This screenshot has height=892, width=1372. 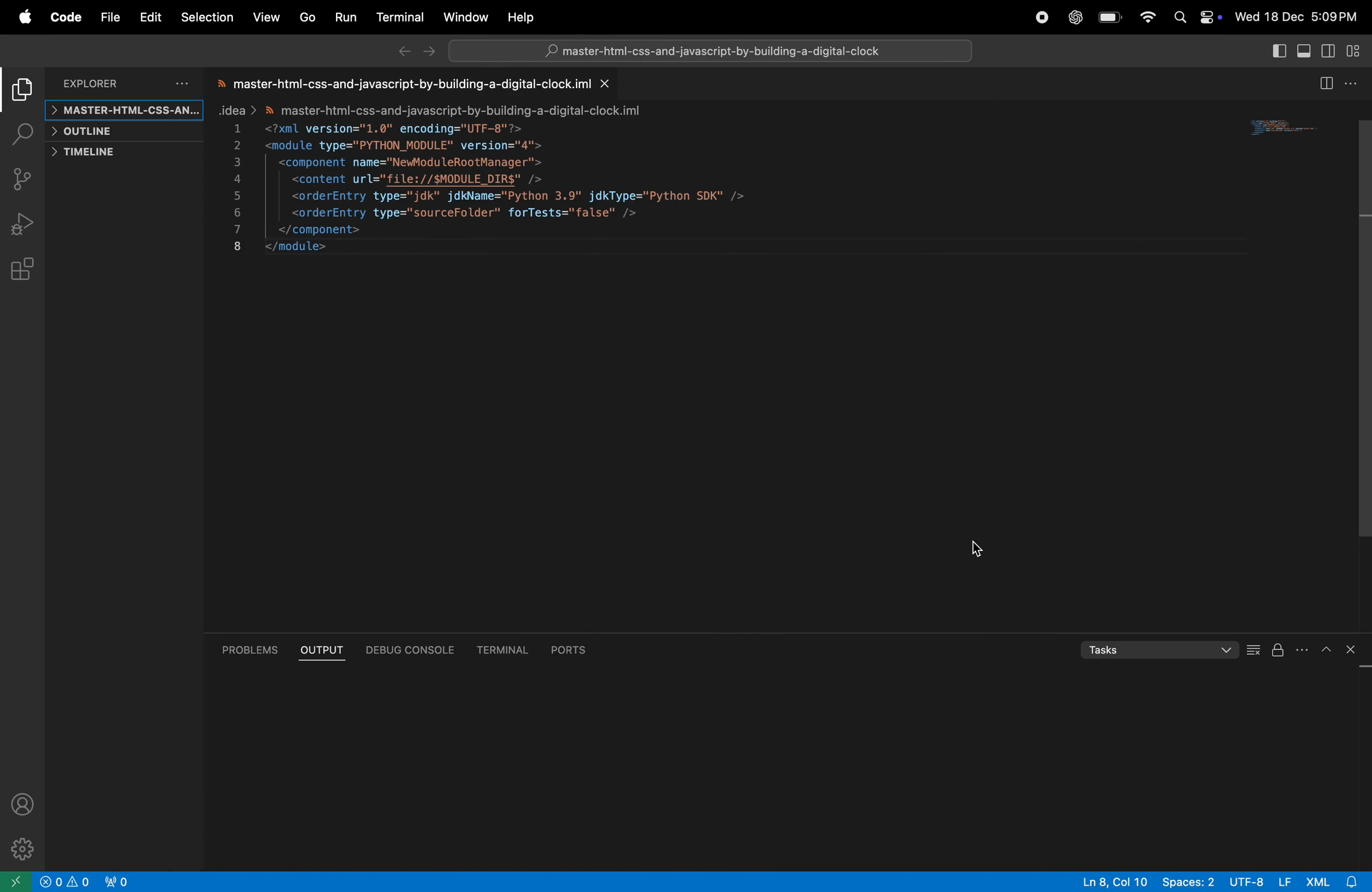 What do you see at coordinates (122, 110) in the screenshot?
I see `master file` at bounding box center [122, 110].